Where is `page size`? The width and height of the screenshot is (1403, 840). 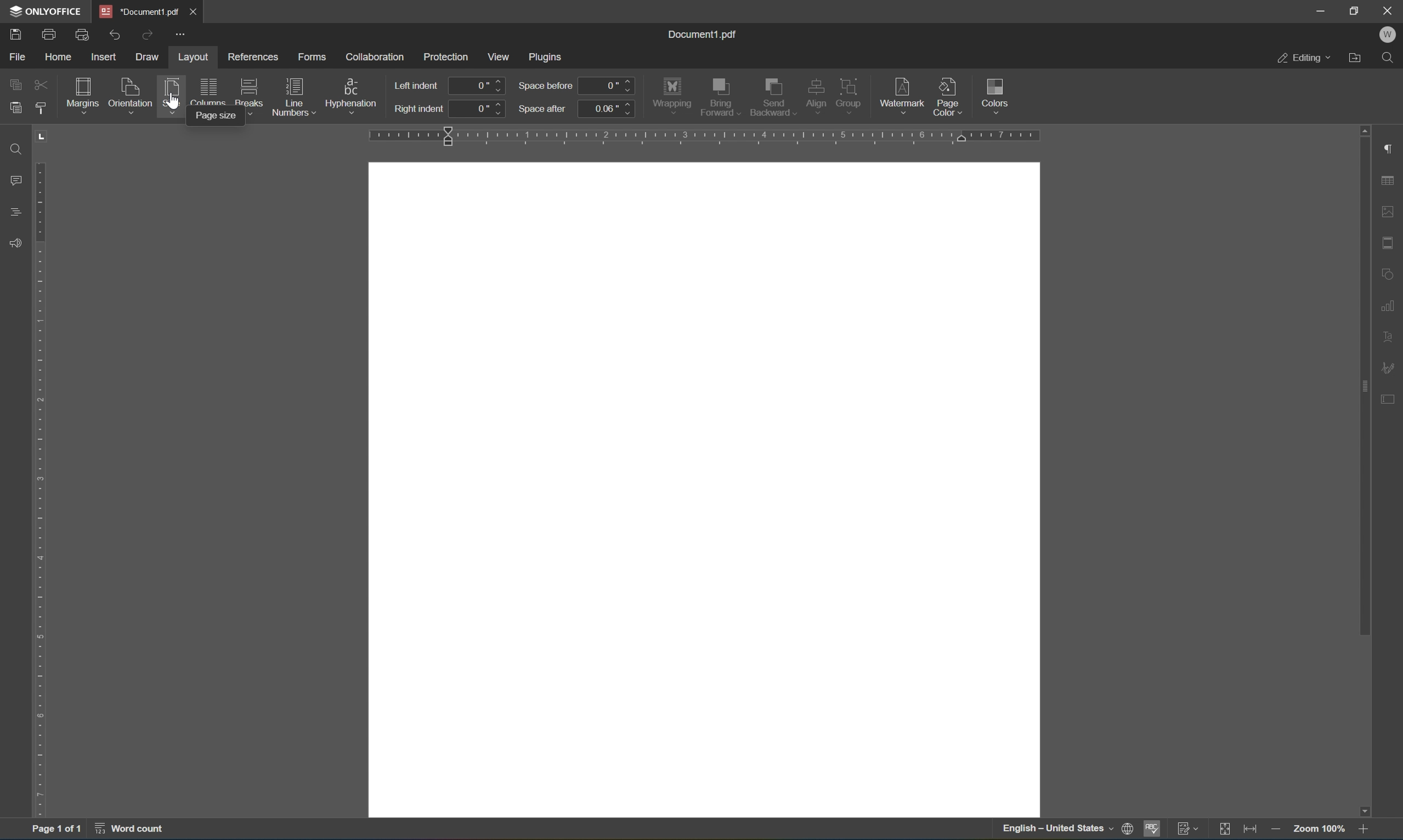
page size is located at coordinates (217, 118).